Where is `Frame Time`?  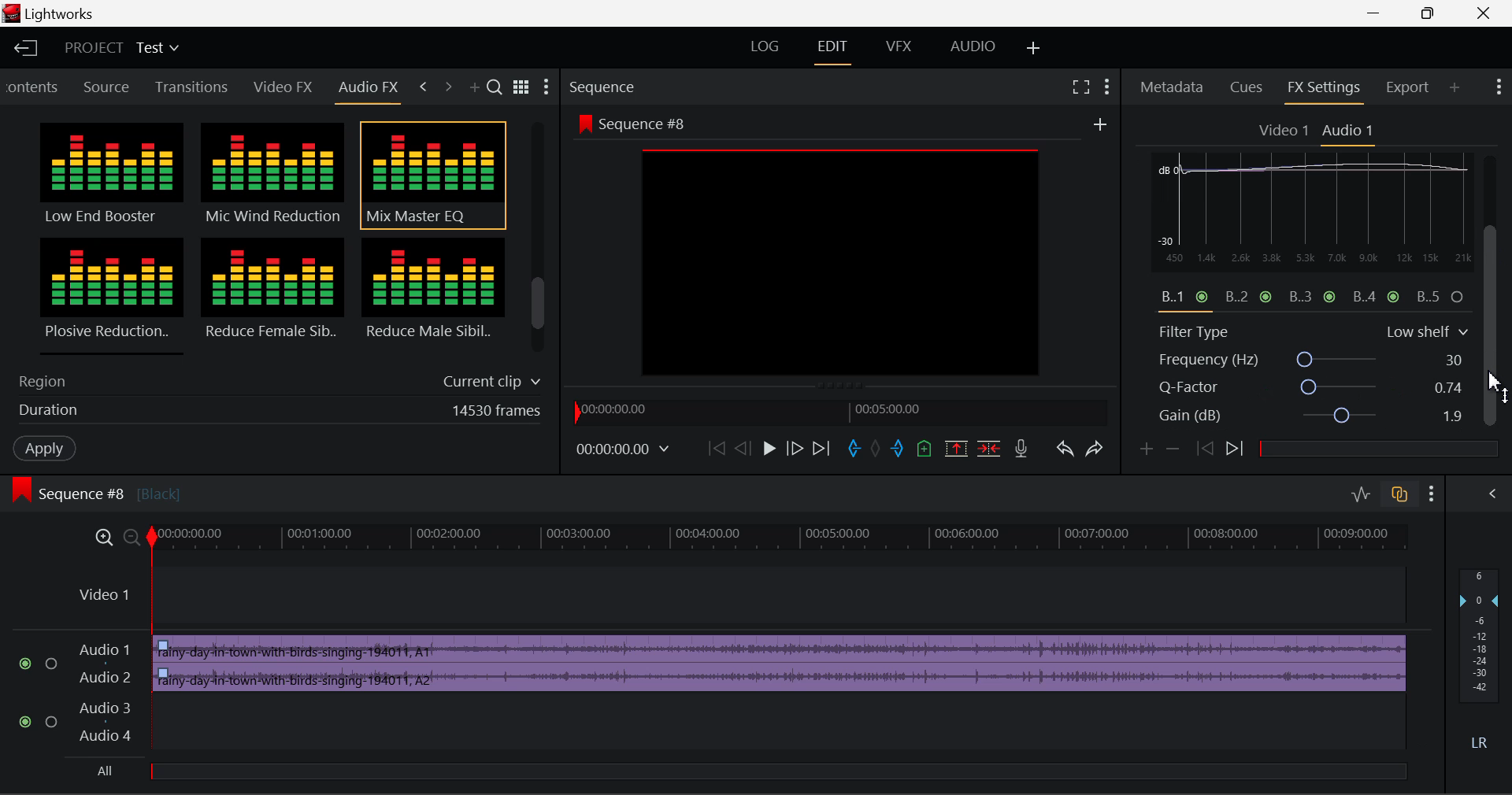
Frame Time is located at coordinates (621, 449).